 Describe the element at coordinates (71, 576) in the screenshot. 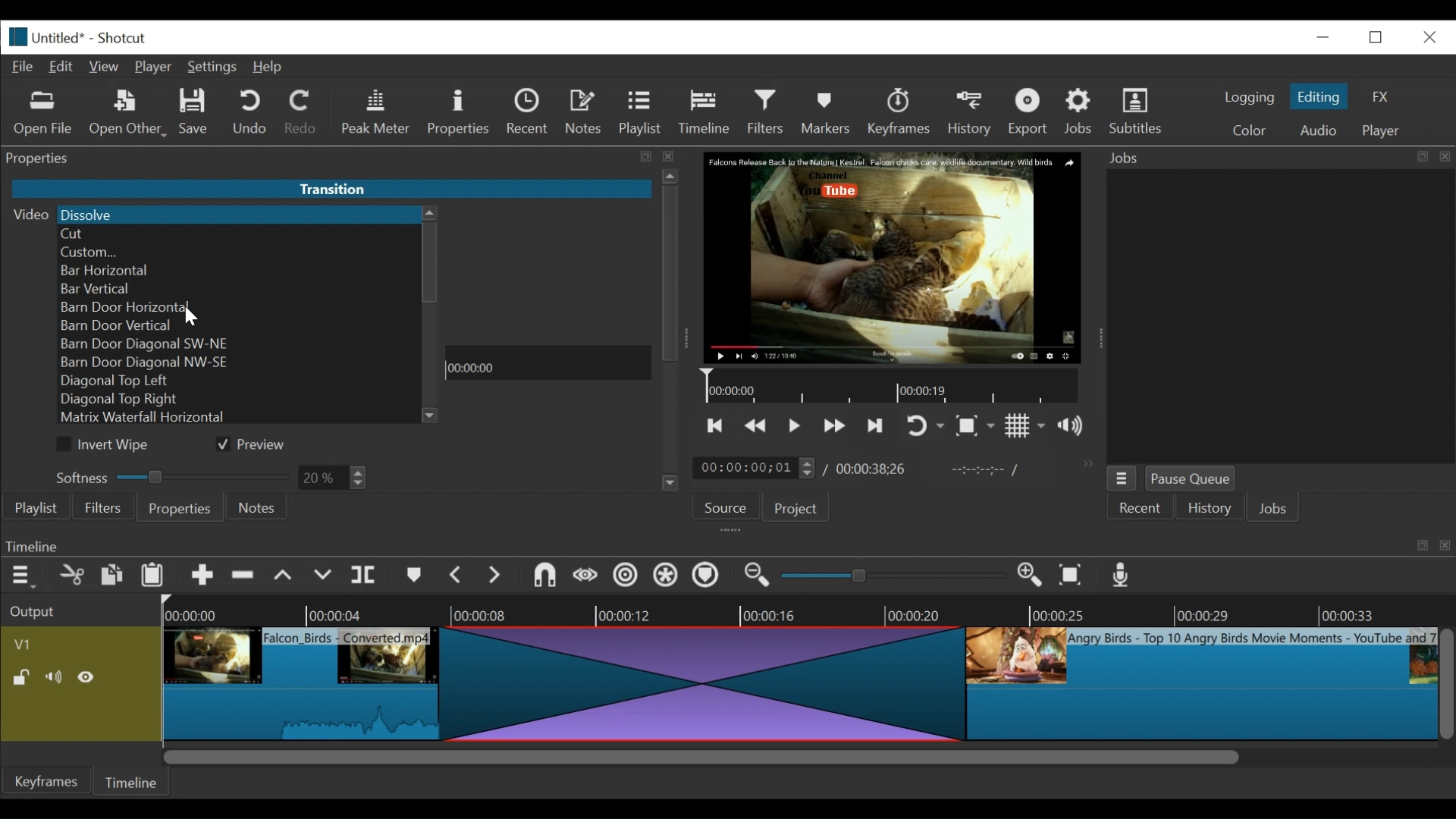

I see `cut` at that location.